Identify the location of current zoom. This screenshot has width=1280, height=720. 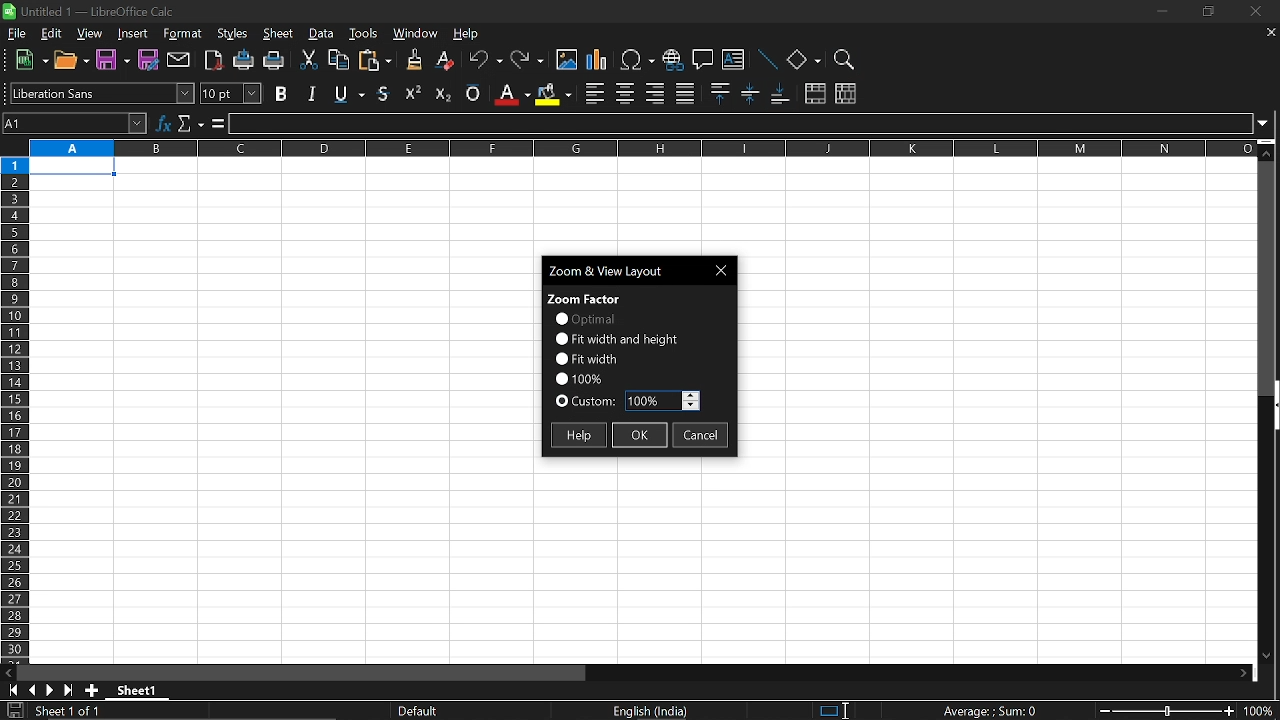
(578, 377).